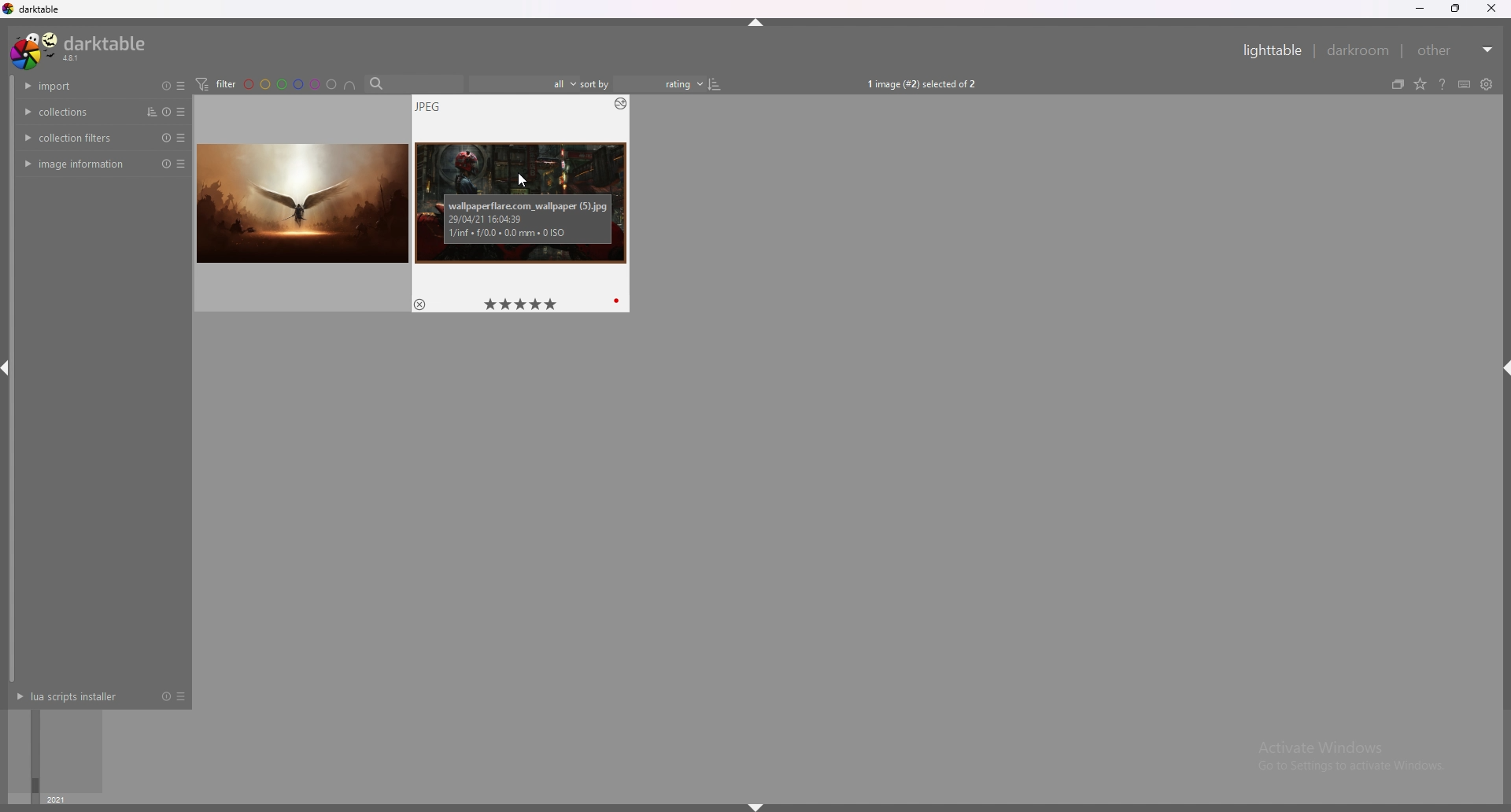 The height and width of the screenshot is (812, 1511). I want to click on close, so click(1490, 9).